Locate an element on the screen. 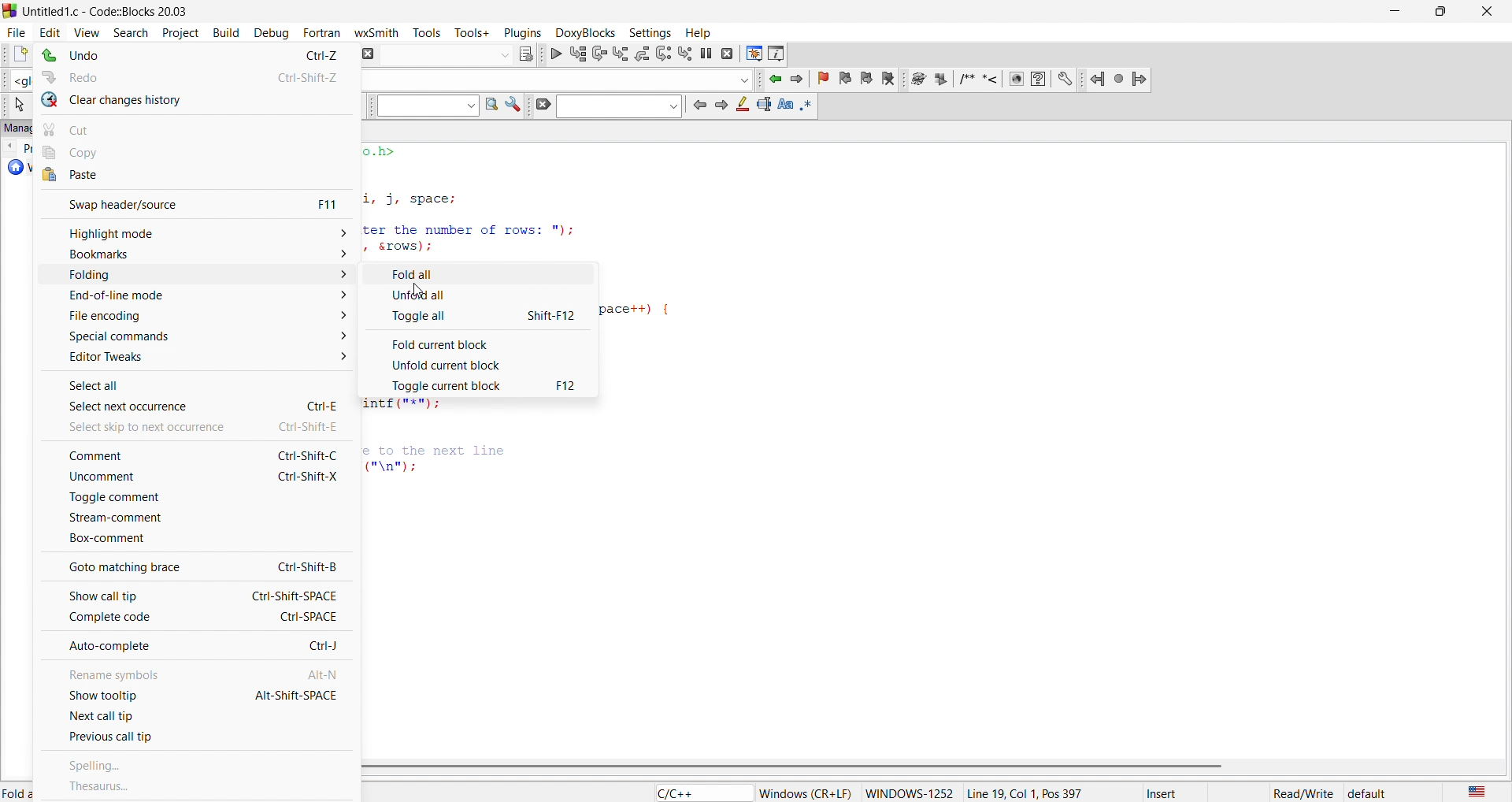 The image size is (1512, 802). language is located at coordinates (699, 793).